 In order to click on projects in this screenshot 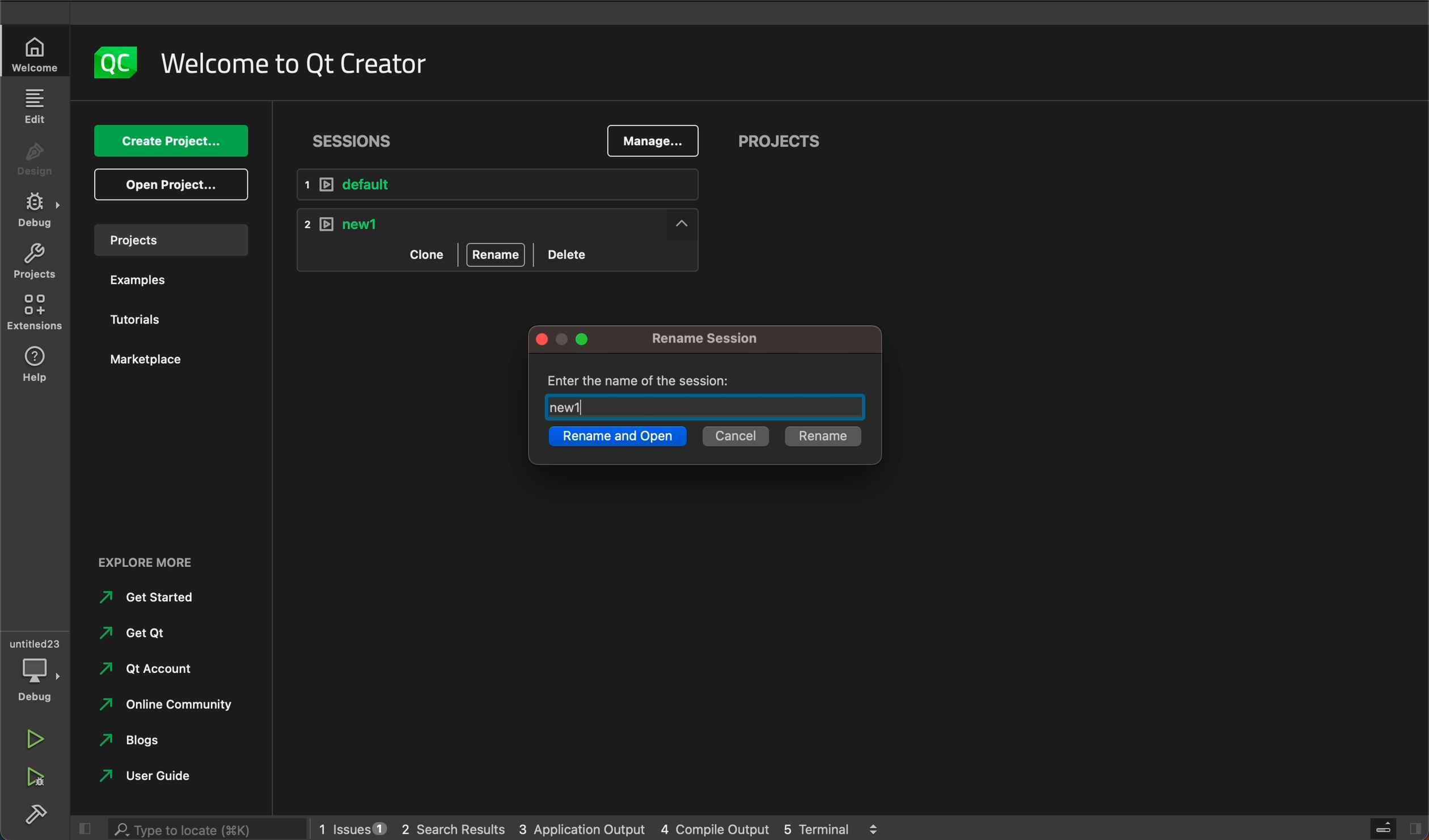, I will do `click(780, 143)`.